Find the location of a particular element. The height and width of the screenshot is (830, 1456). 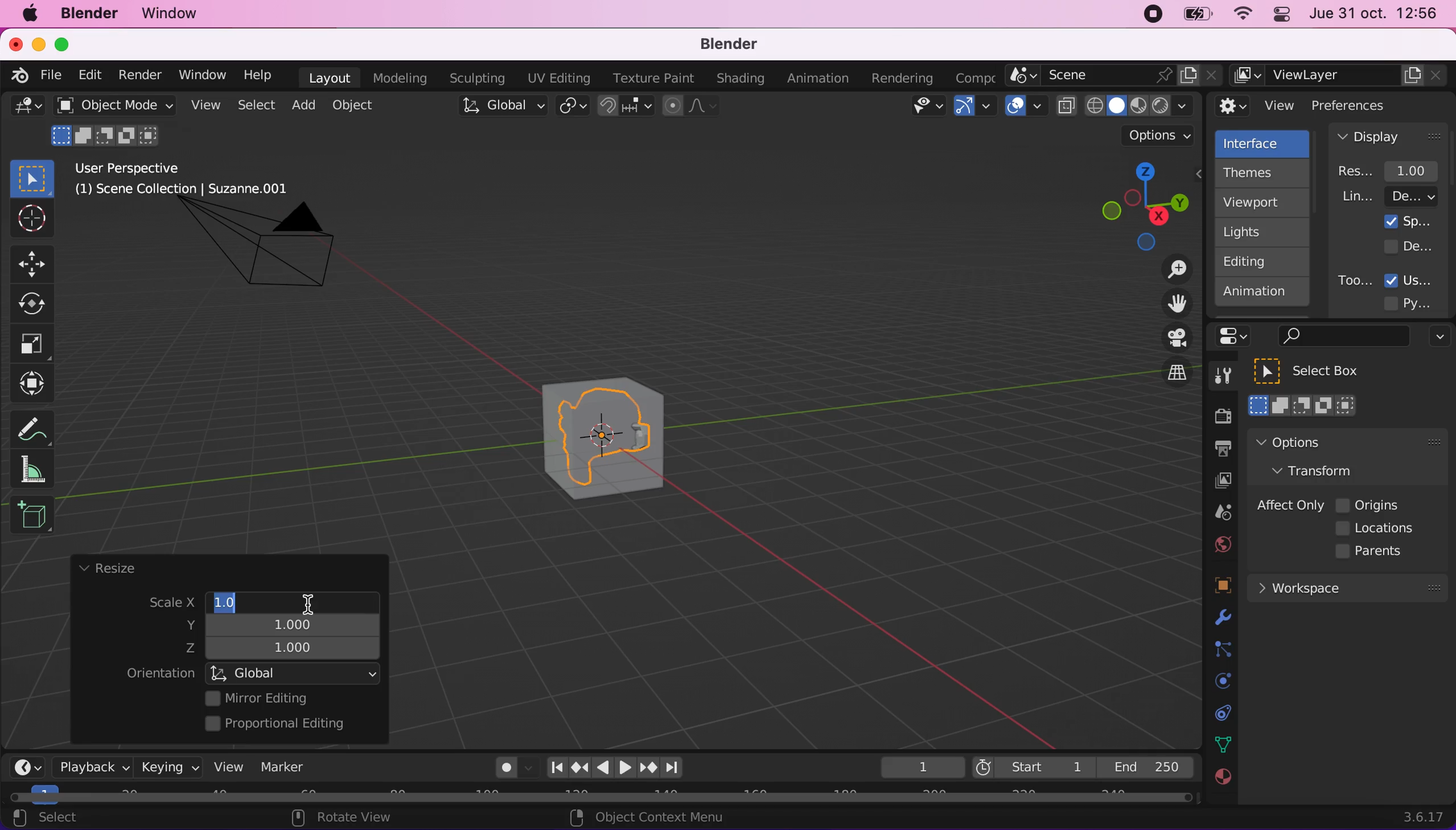

lights is located at coordinates (1265, 233).